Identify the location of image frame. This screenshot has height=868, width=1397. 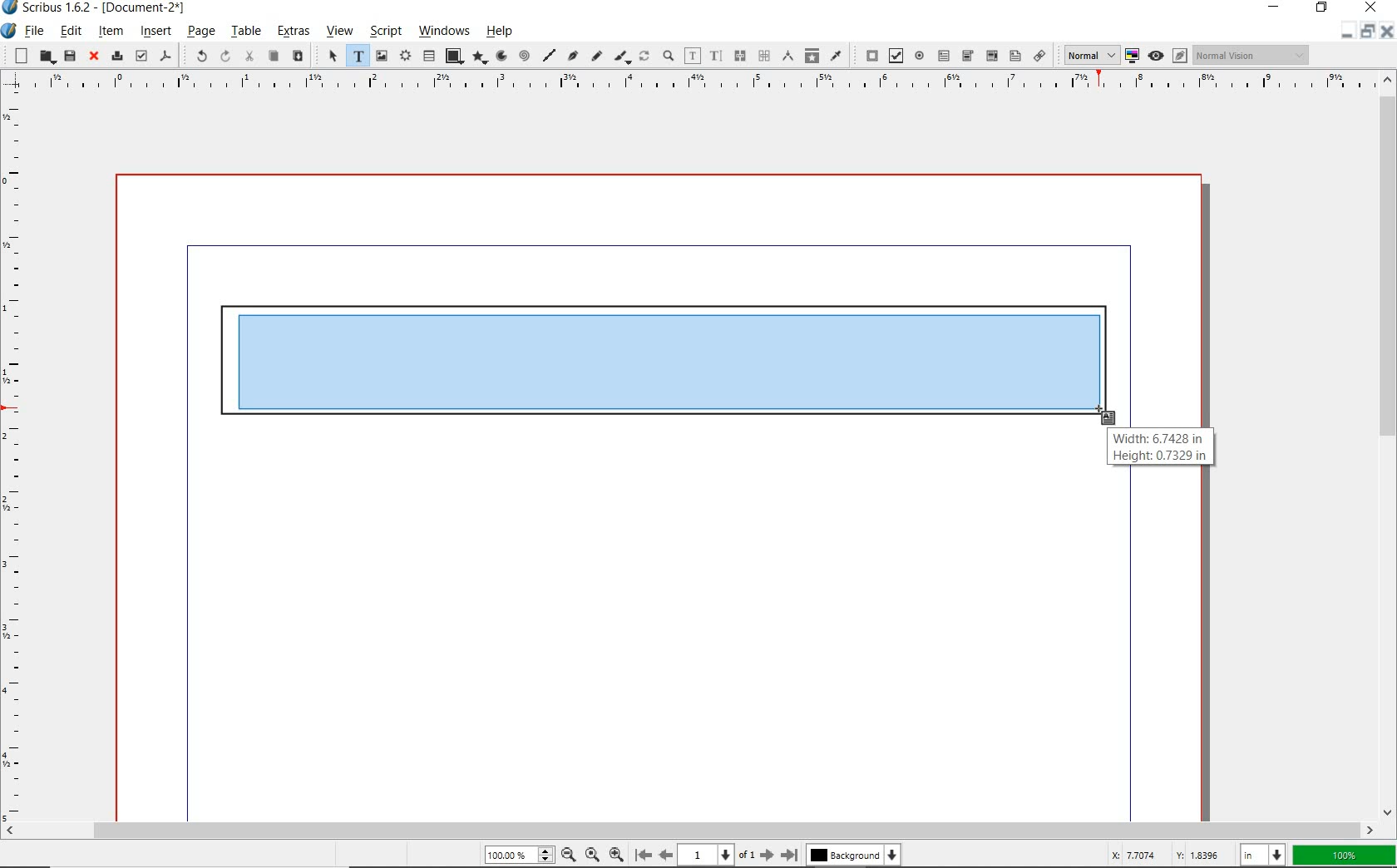
(381, 56).